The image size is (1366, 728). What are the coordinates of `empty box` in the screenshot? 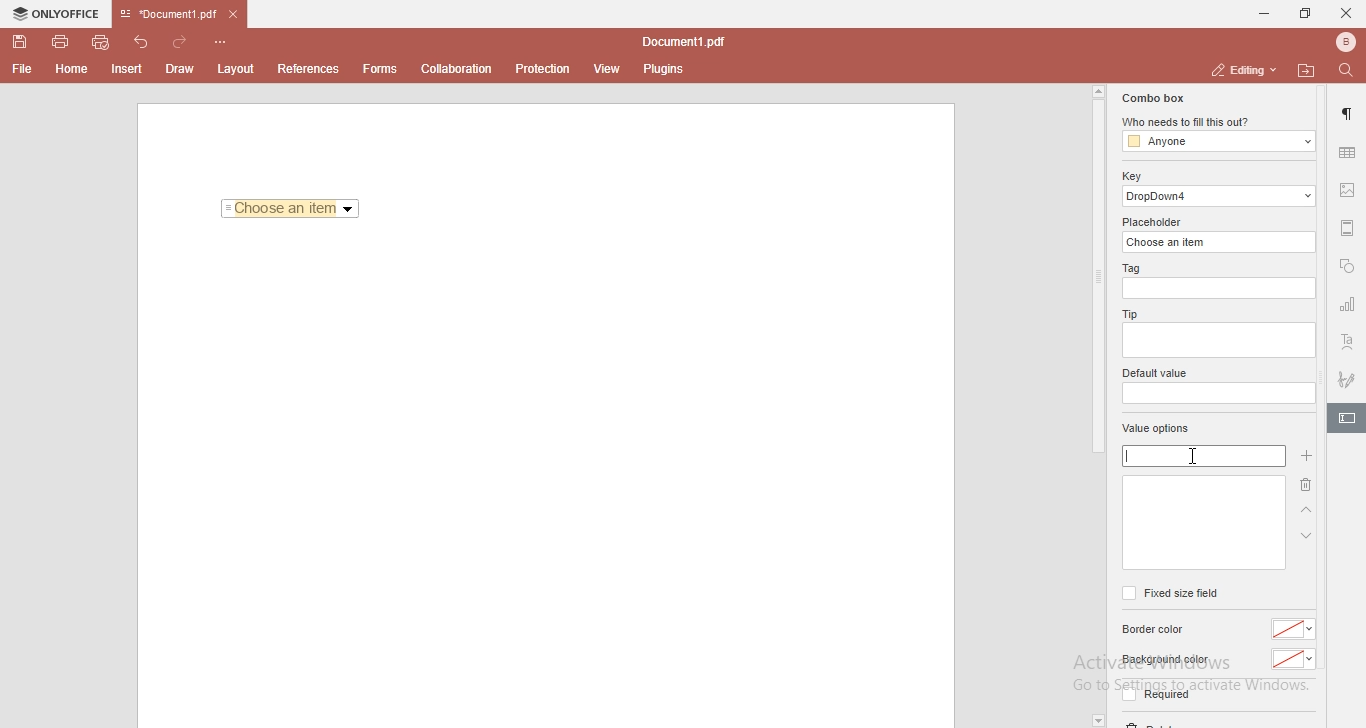 It's located at (1217, 394).